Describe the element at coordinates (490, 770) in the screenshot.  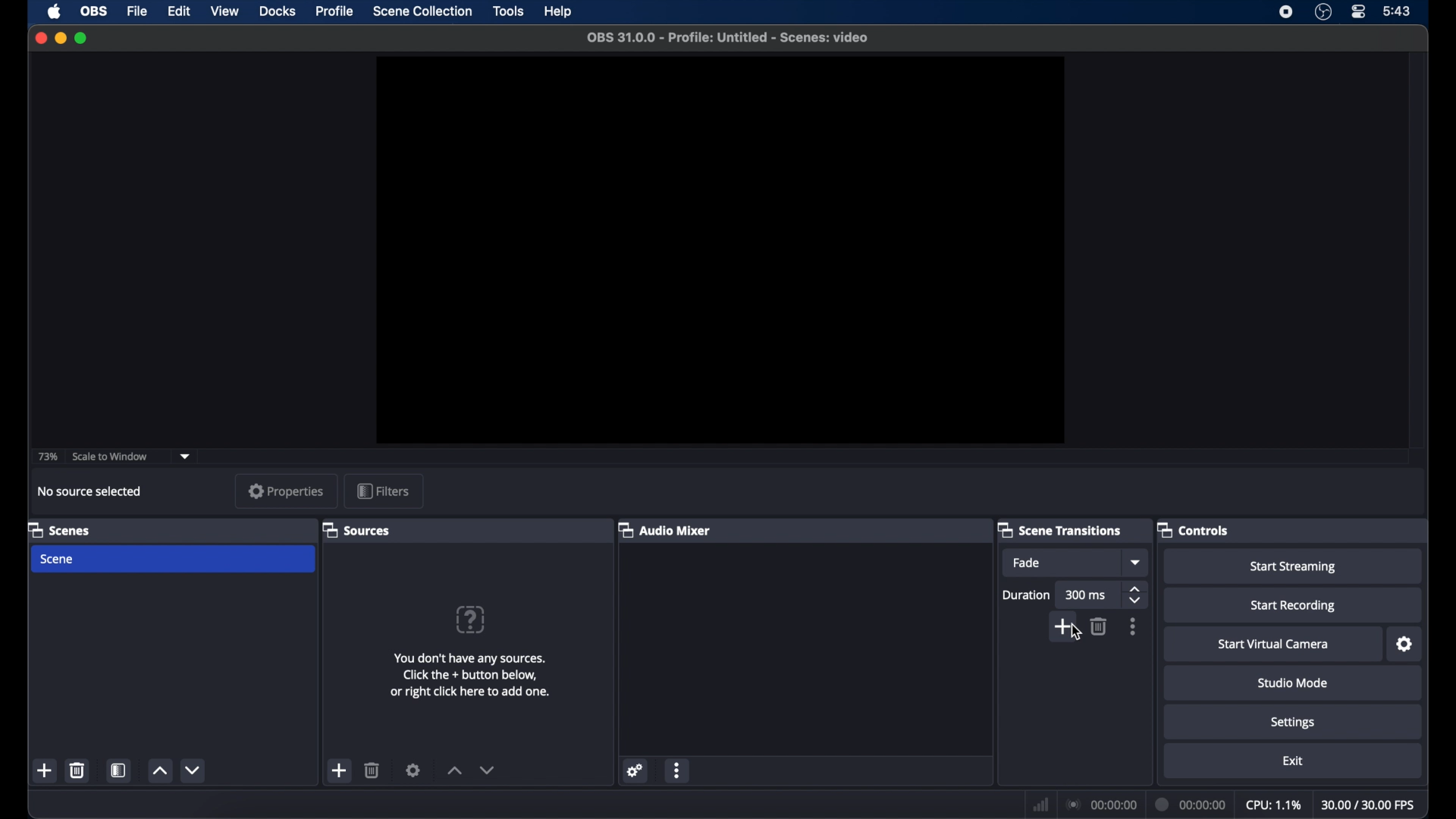
I see `decrement` at that location.